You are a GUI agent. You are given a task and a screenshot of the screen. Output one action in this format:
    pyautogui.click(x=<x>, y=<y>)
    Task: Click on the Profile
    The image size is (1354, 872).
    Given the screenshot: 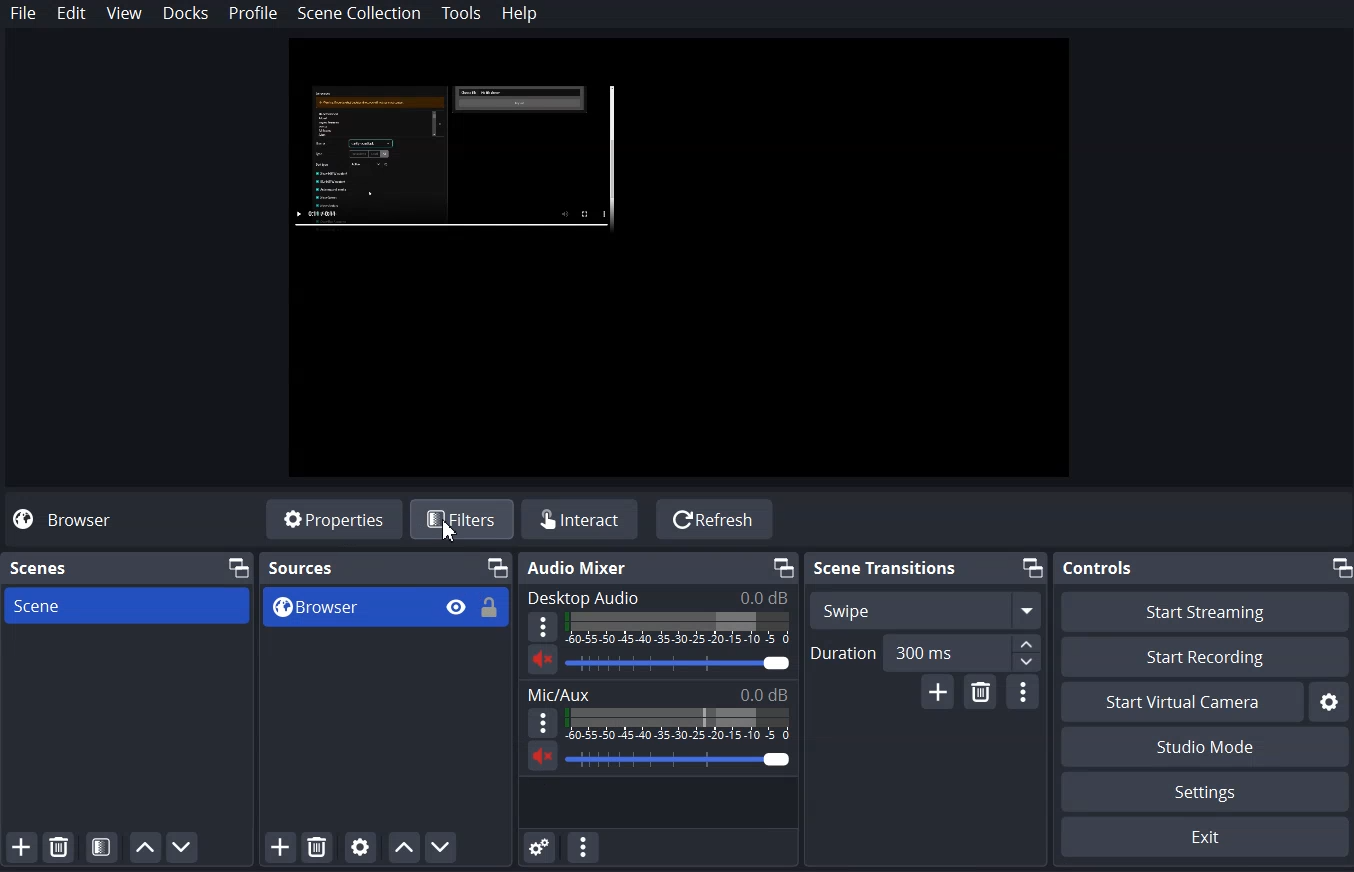 What is the action you would take?
    pyautogui.click(x=253, y=14)
    